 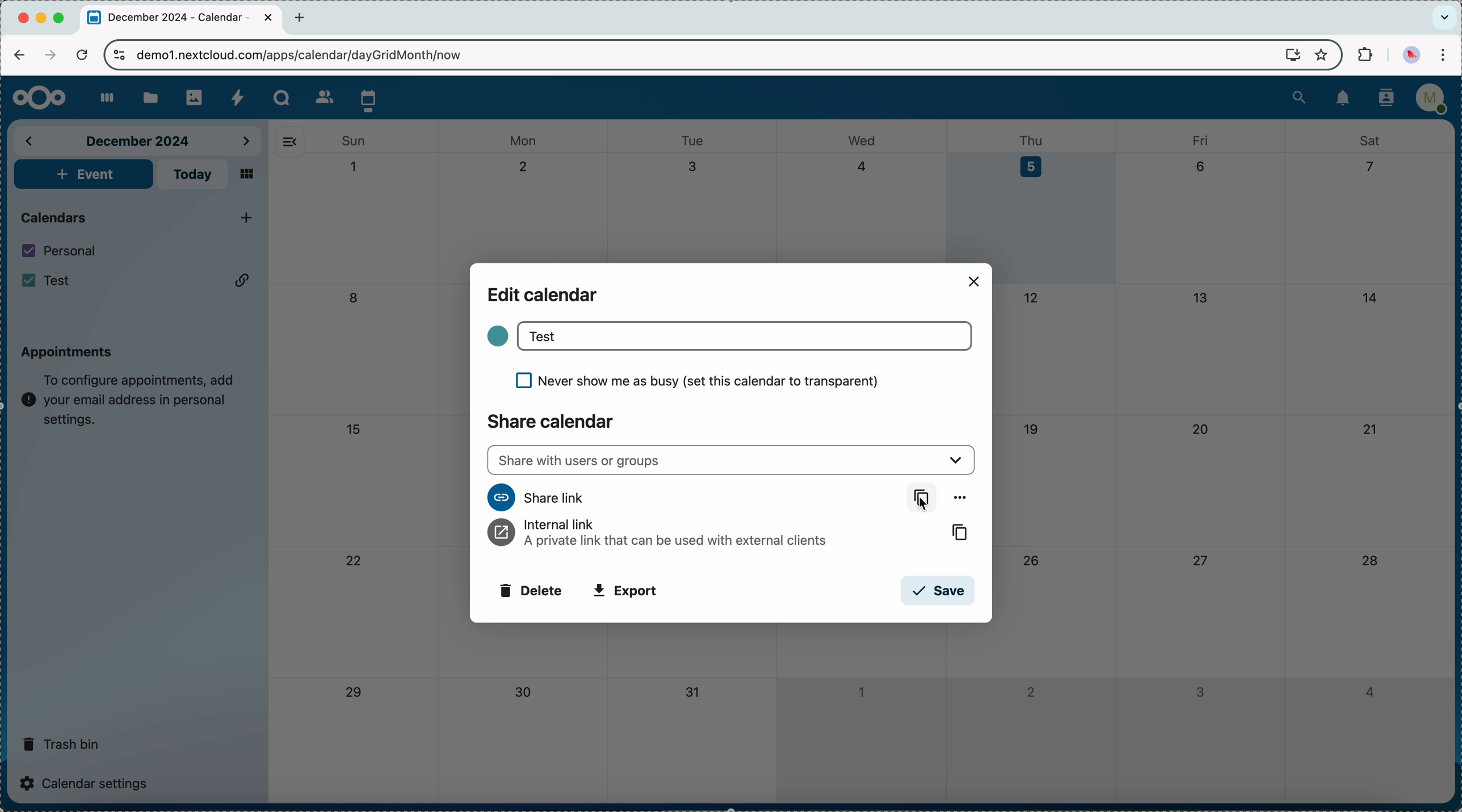 What do you see at coordinates (1200, 165) in the screenshot?
I see `6` at bounding box center [1200, 165].